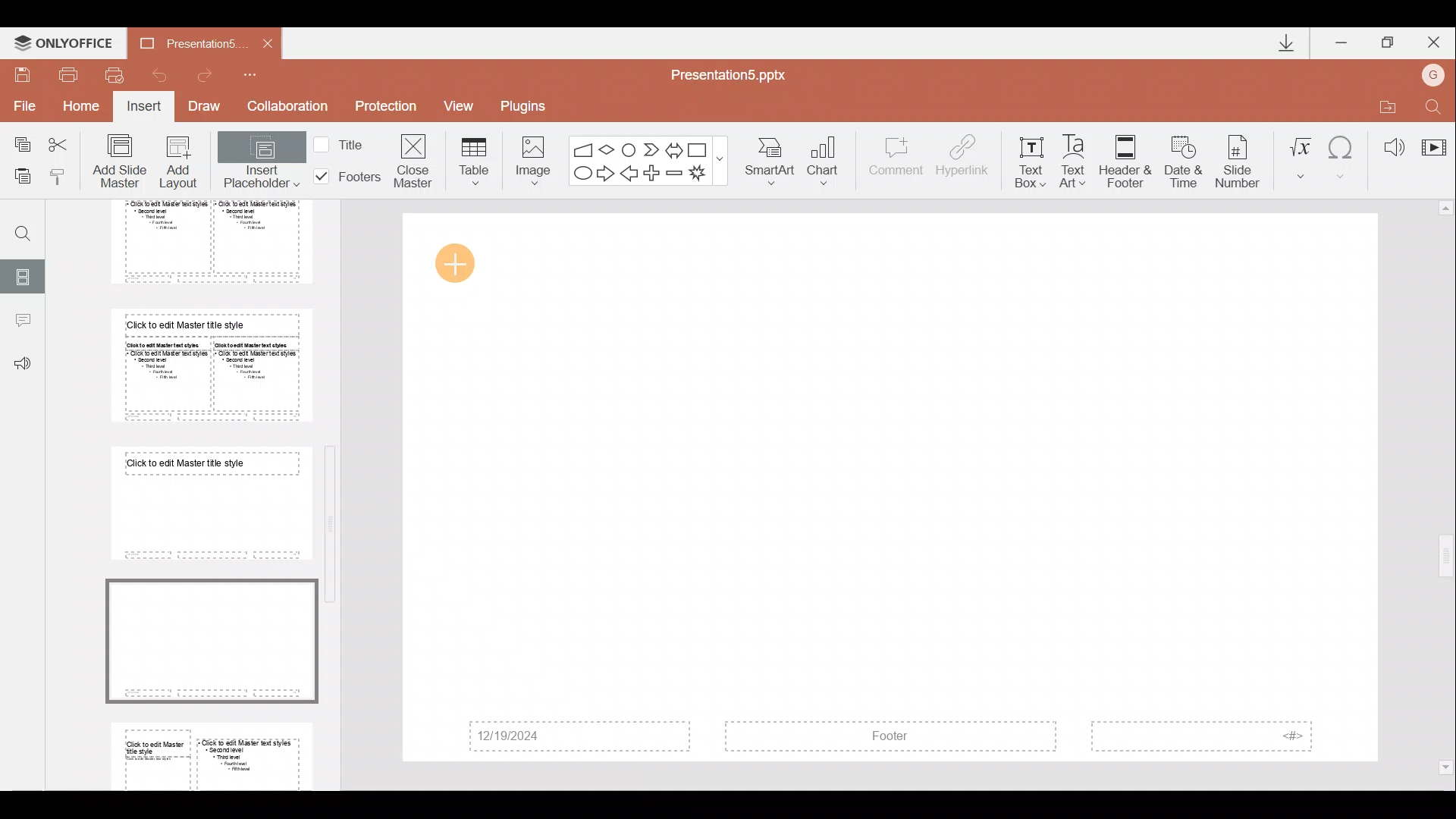 The image size is (1456, 819). I want to click on Rectangle, so click(699, 148).